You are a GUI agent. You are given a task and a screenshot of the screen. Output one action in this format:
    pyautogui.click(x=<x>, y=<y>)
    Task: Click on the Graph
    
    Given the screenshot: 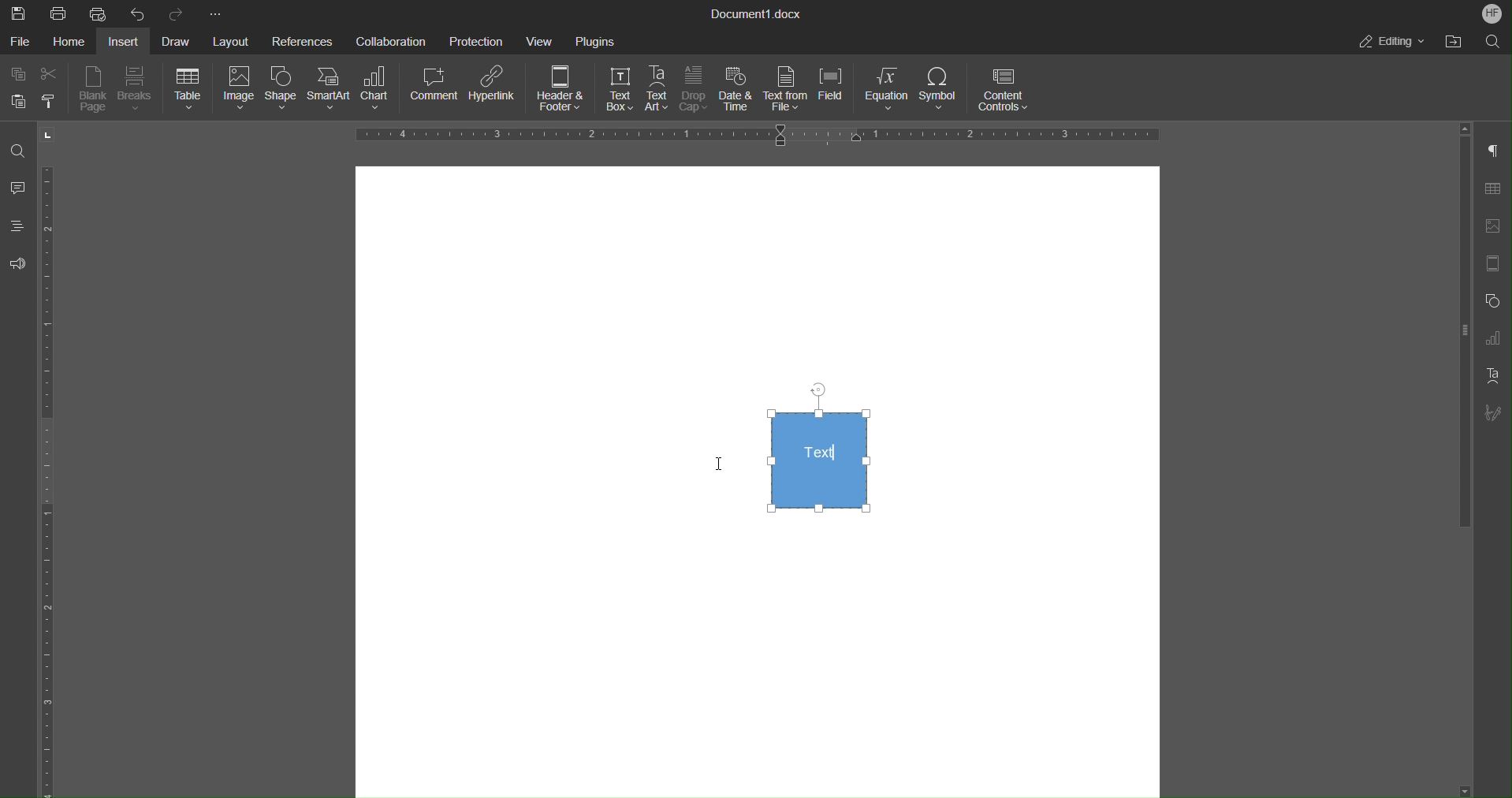 What is the action you would take?
    pyautogui.click(x=1499, y=338)
    